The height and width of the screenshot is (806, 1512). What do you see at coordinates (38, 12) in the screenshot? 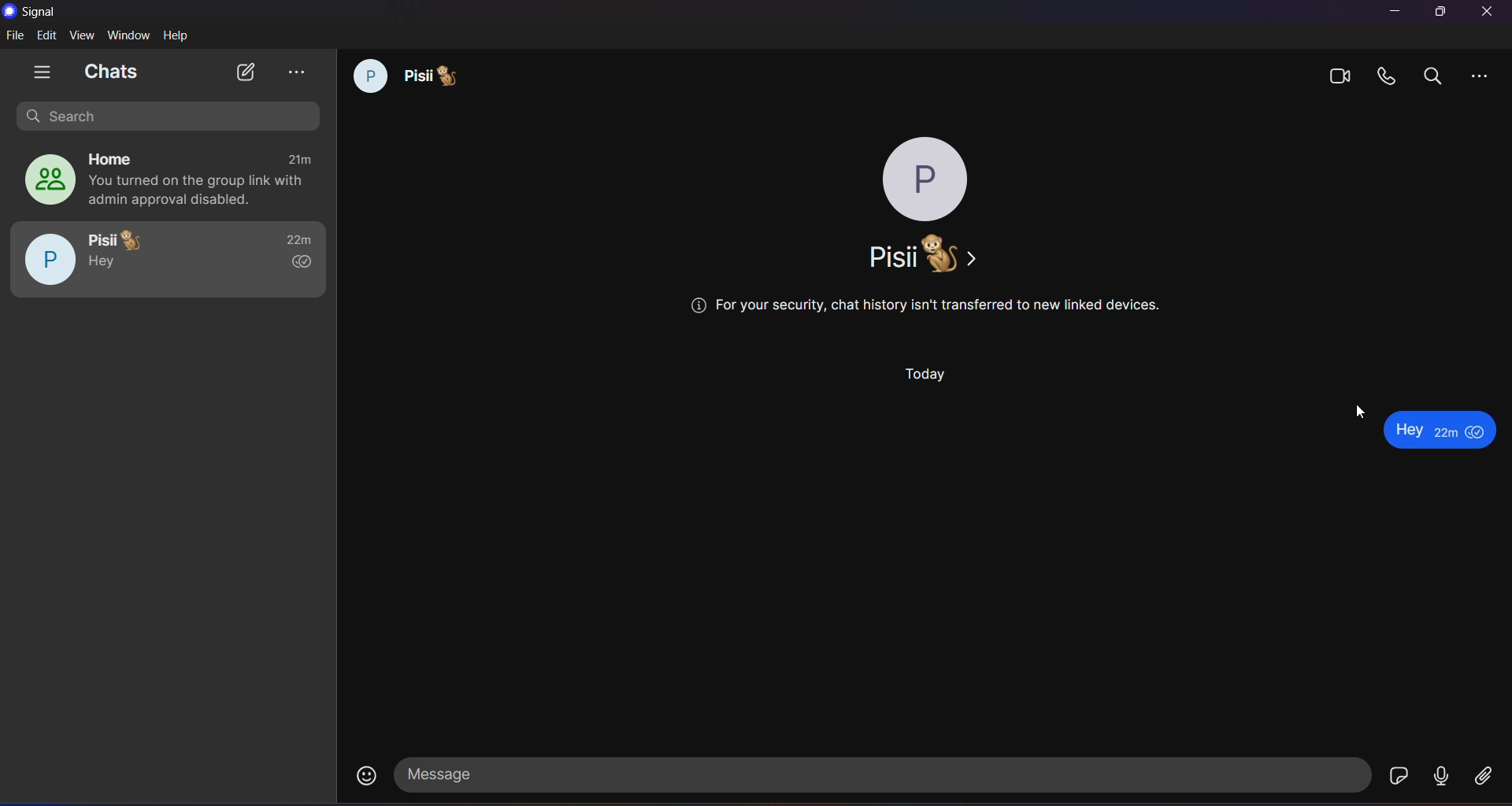
I see `signal` at bounding box center [38, 12].